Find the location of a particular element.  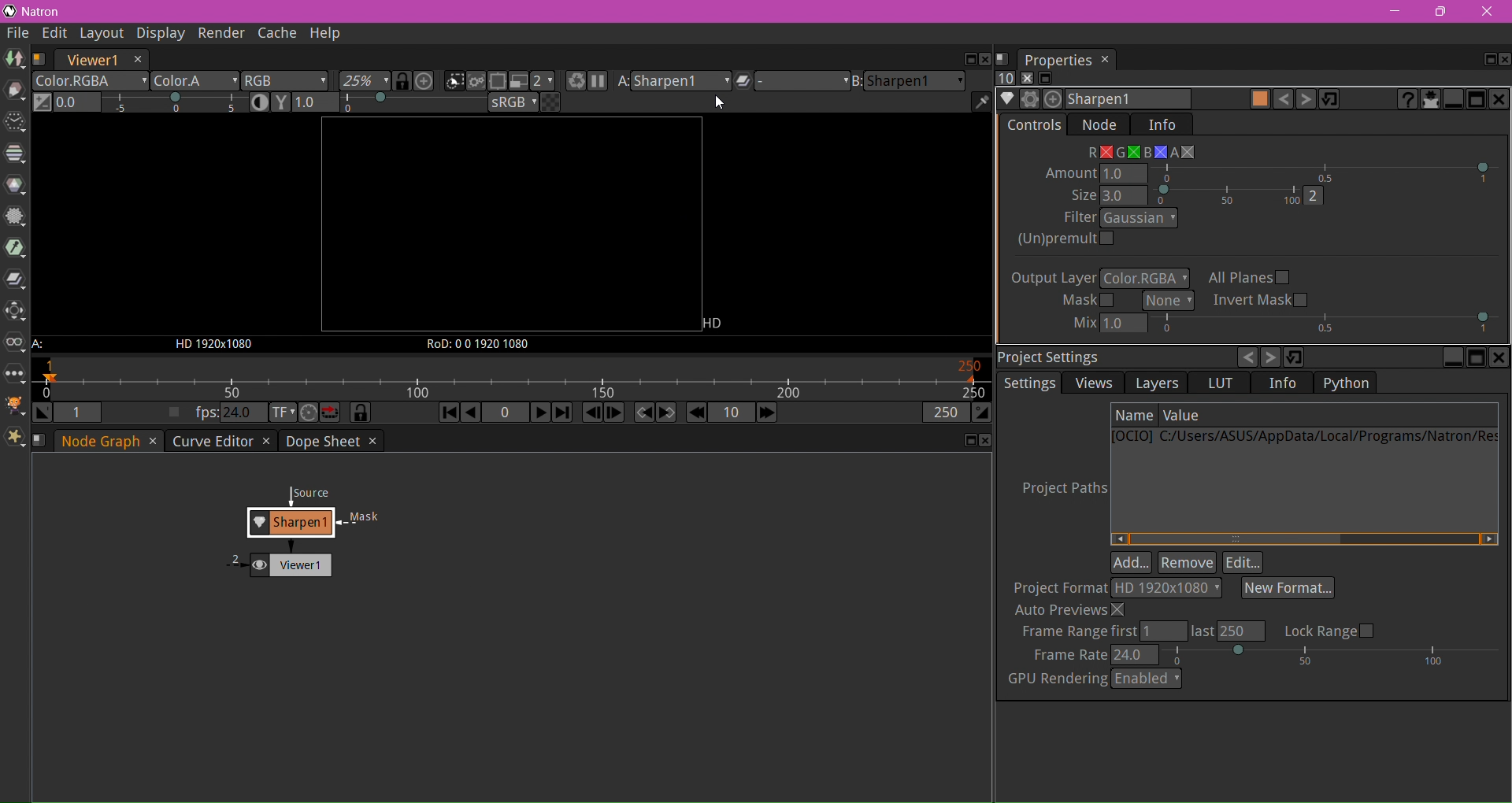

The channels to display on the viewer is located at coordinates (286, 81).